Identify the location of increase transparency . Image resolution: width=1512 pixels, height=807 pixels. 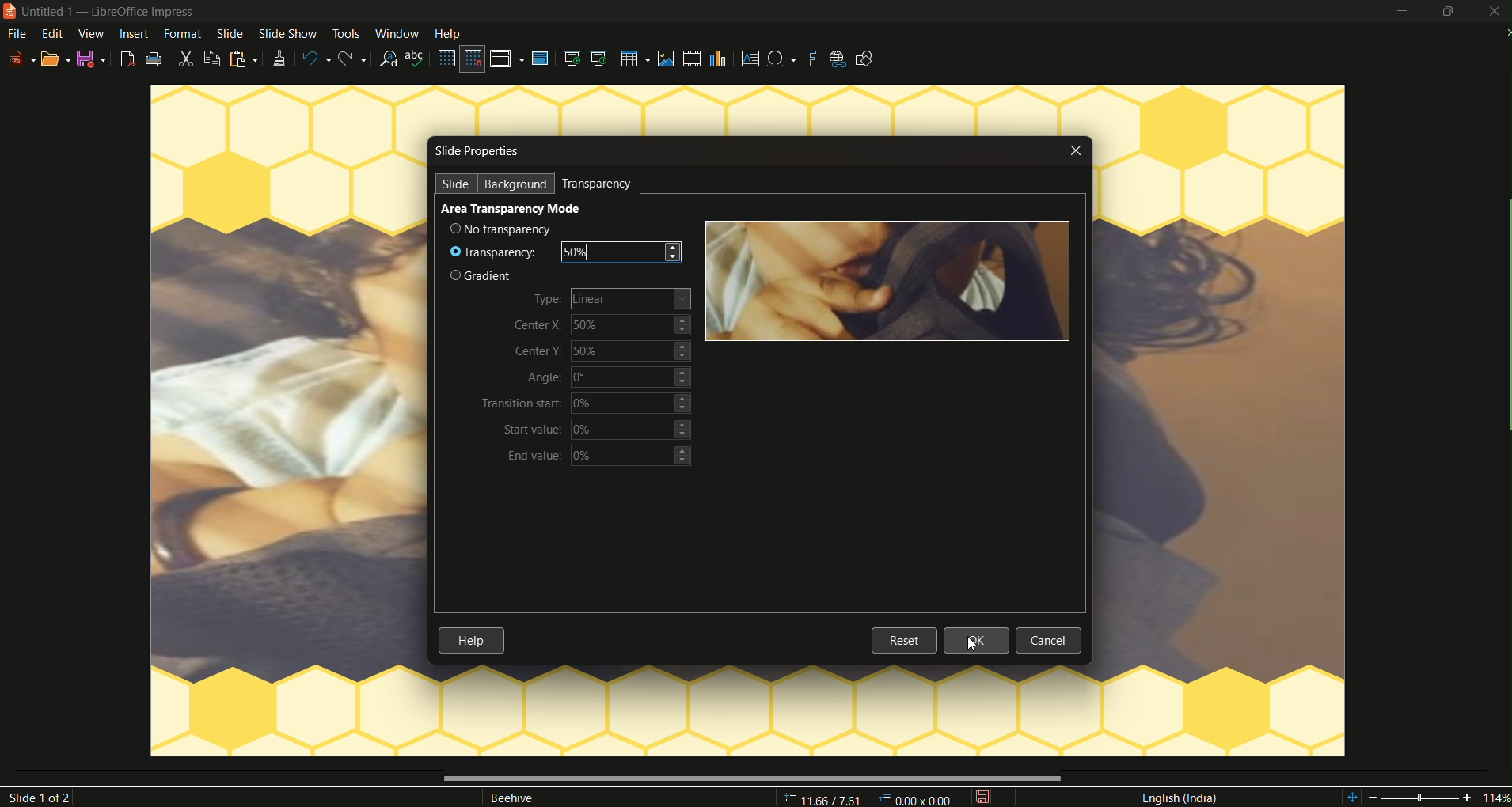
(678, 248).